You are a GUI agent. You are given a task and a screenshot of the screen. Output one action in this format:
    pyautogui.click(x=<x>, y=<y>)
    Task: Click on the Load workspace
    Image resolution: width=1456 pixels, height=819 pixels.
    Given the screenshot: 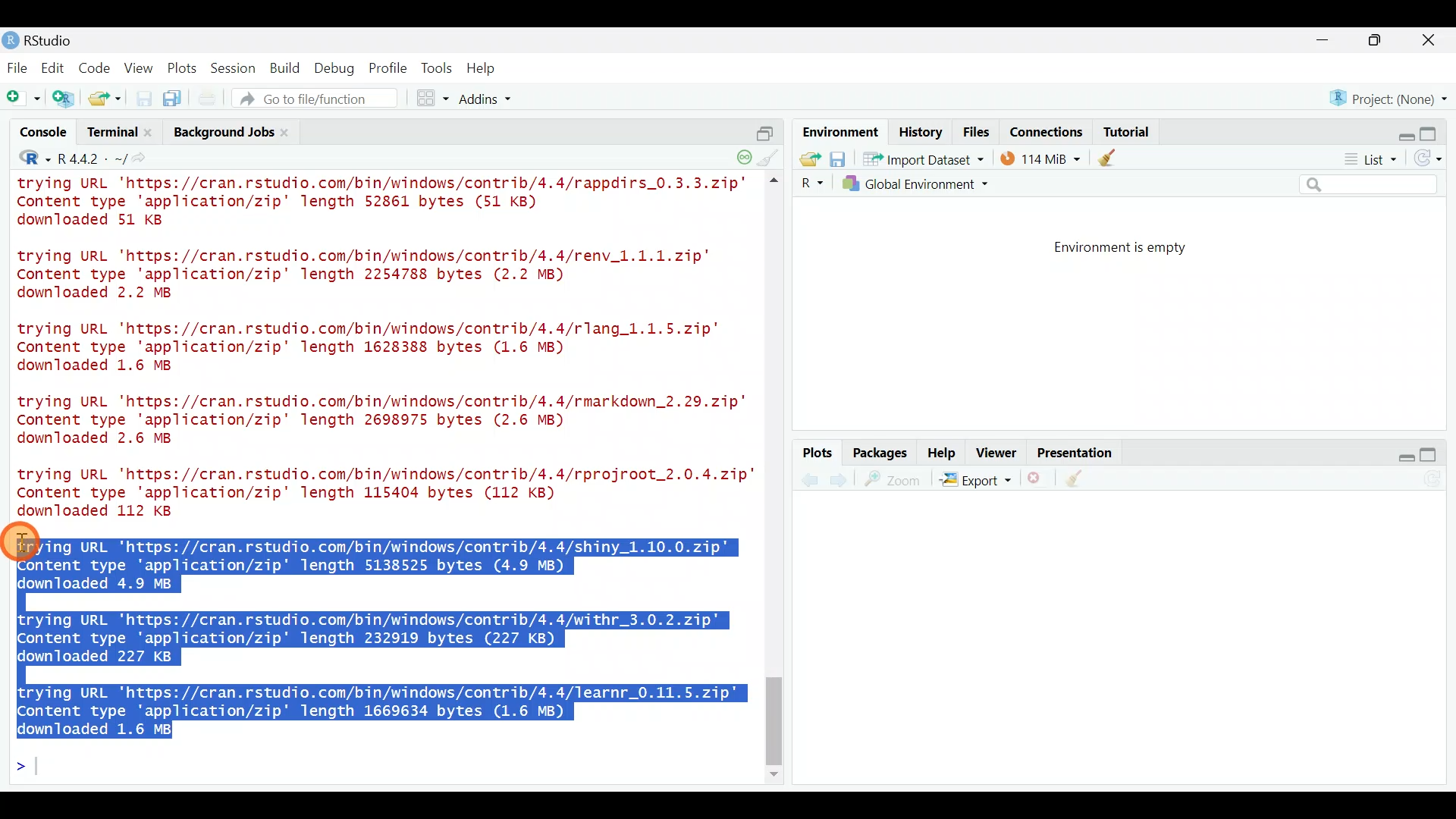 What is the action you would take?
    pyautogui.click(x=806, y=158)
    